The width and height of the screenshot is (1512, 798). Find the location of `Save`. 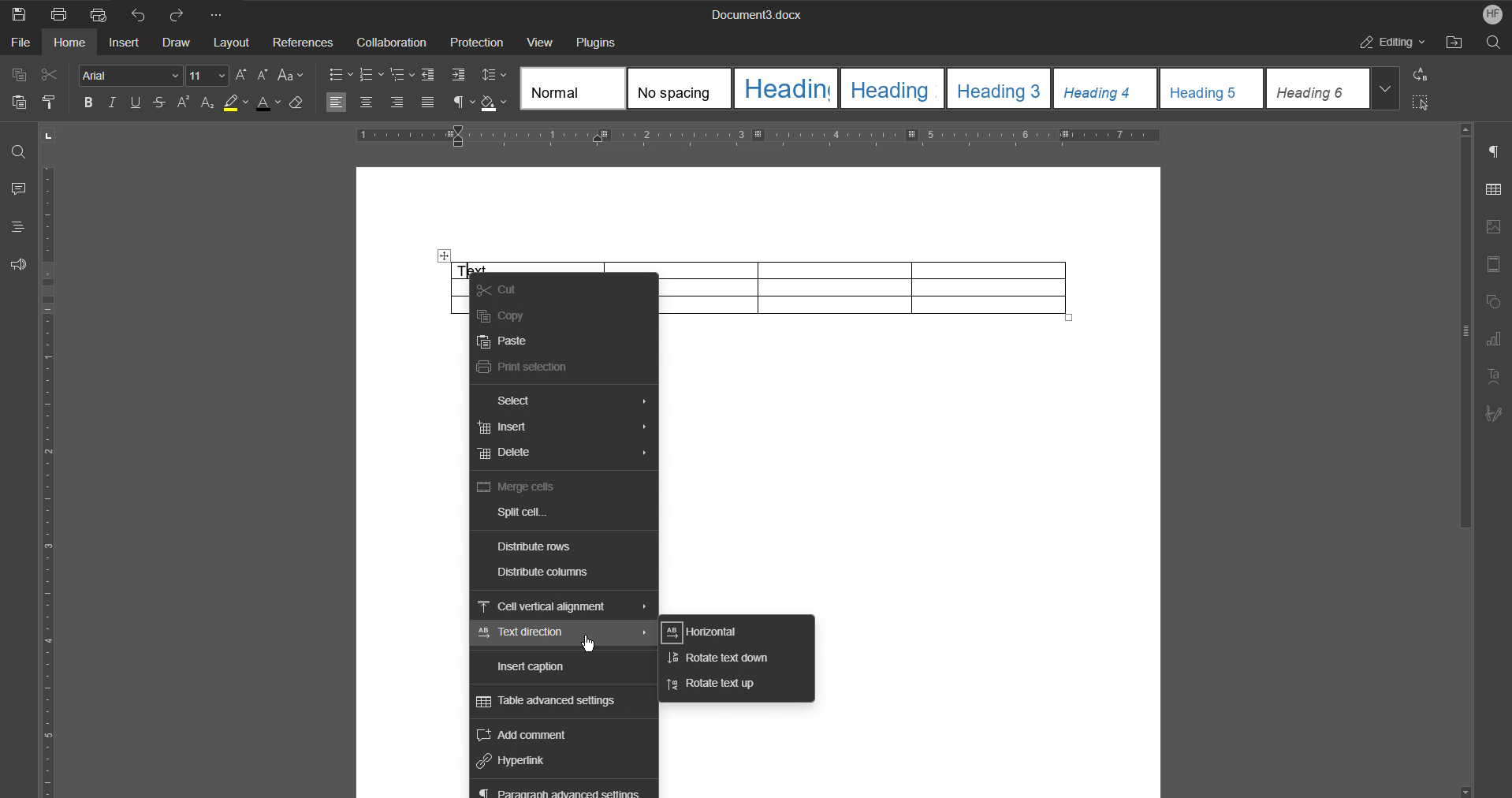

Save is located at coordinates (18, 13).